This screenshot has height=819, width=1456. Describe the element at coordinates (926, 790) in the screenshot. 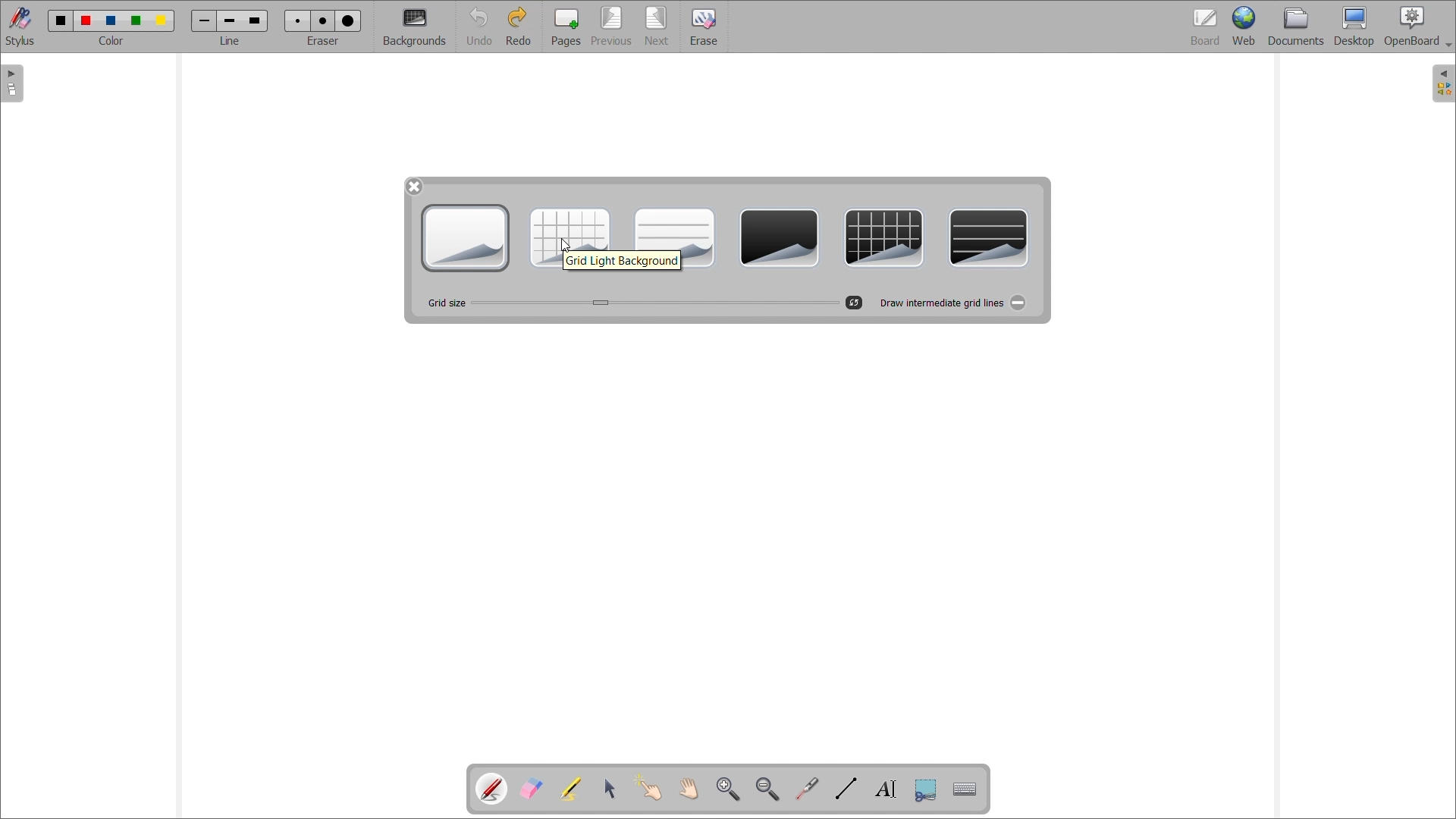

I see `Capture part of the screen` at that location.